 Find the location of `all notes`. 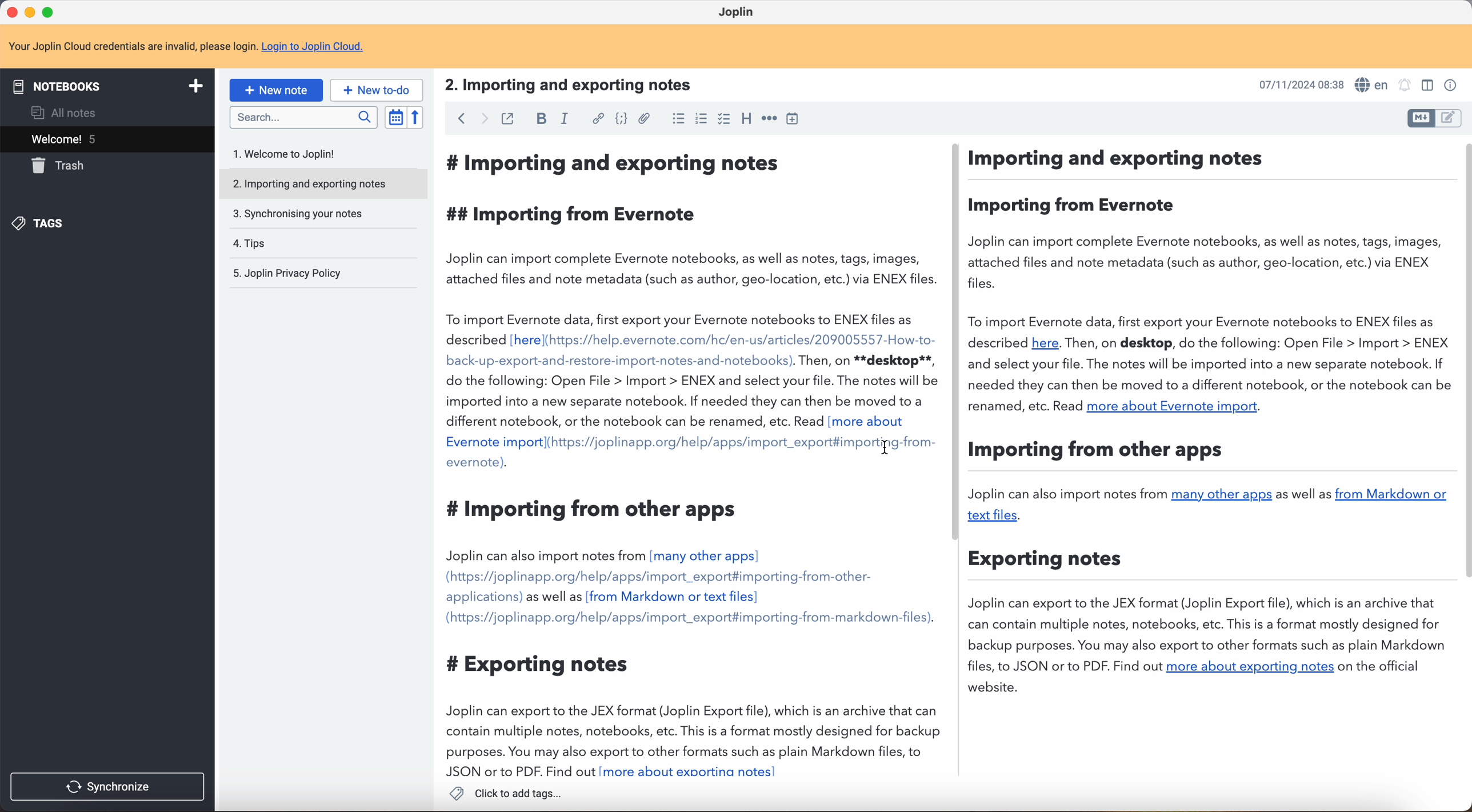

all notes is located at coordinates (61, 113).